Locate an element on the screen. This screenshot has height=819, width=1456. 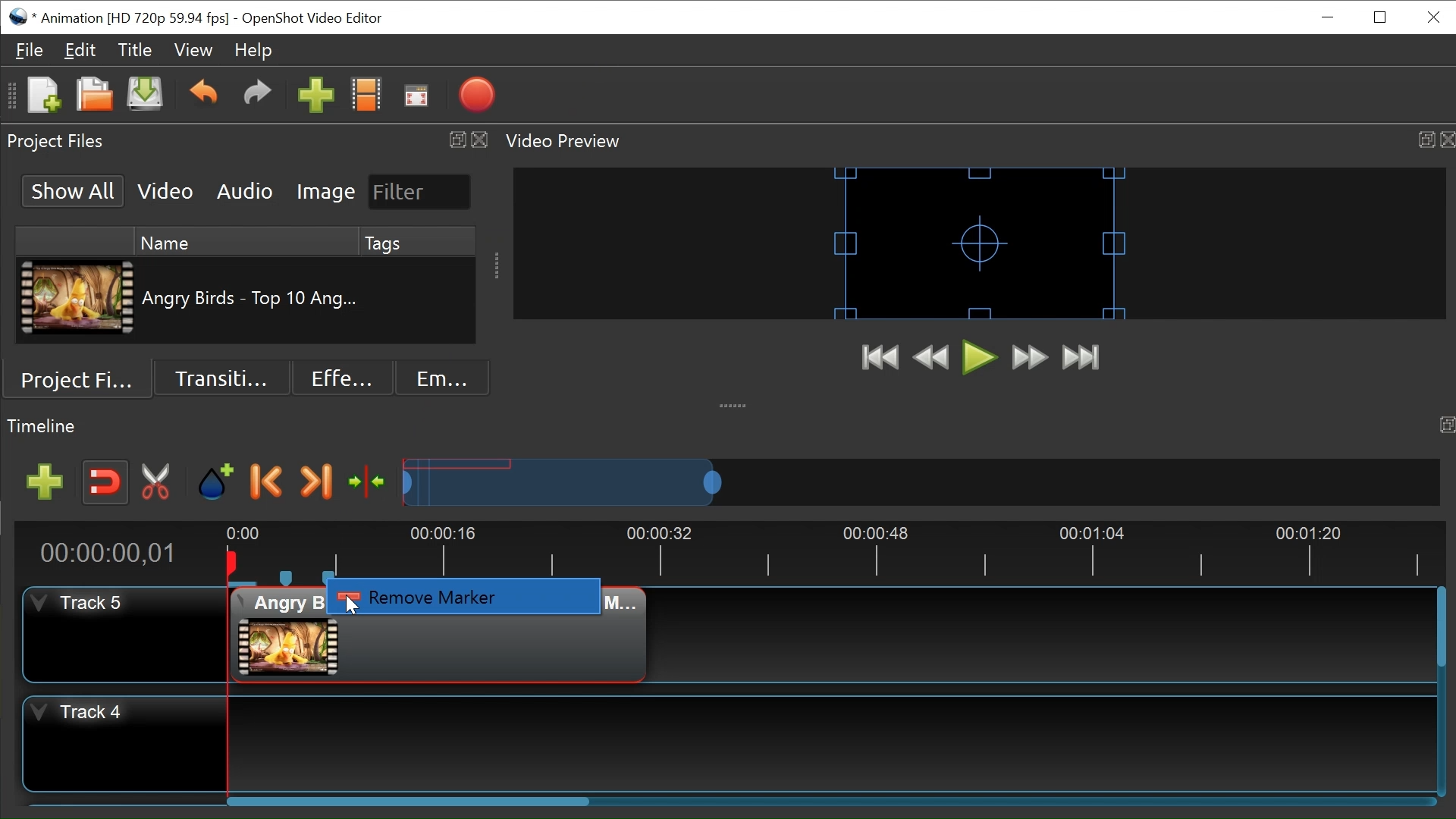
OpenShot Desktop Icon is located at coordinates (20, 17).